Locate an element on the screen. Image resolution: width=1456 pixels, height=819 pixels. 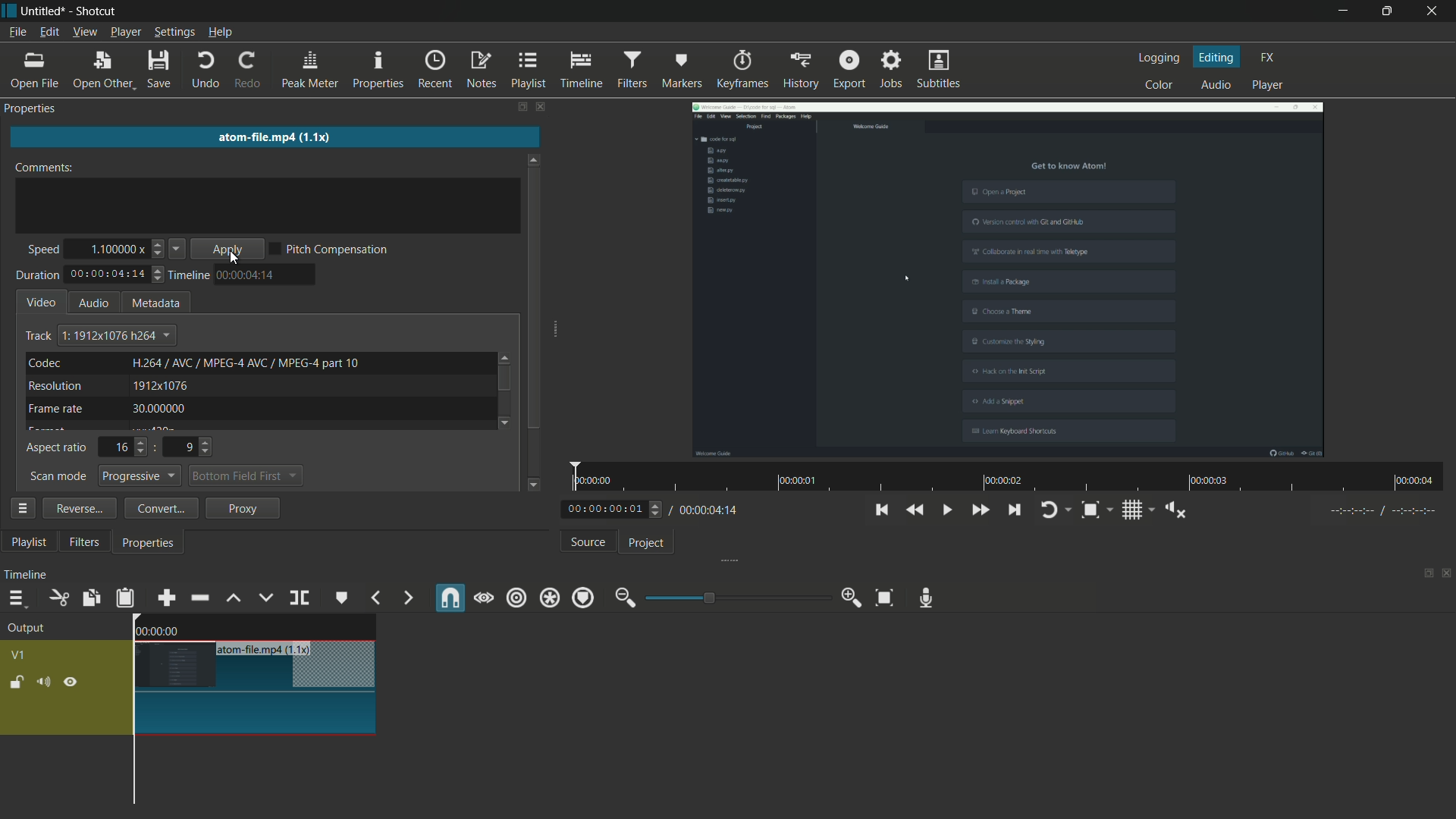
time is located at coordinates (1013, 477).